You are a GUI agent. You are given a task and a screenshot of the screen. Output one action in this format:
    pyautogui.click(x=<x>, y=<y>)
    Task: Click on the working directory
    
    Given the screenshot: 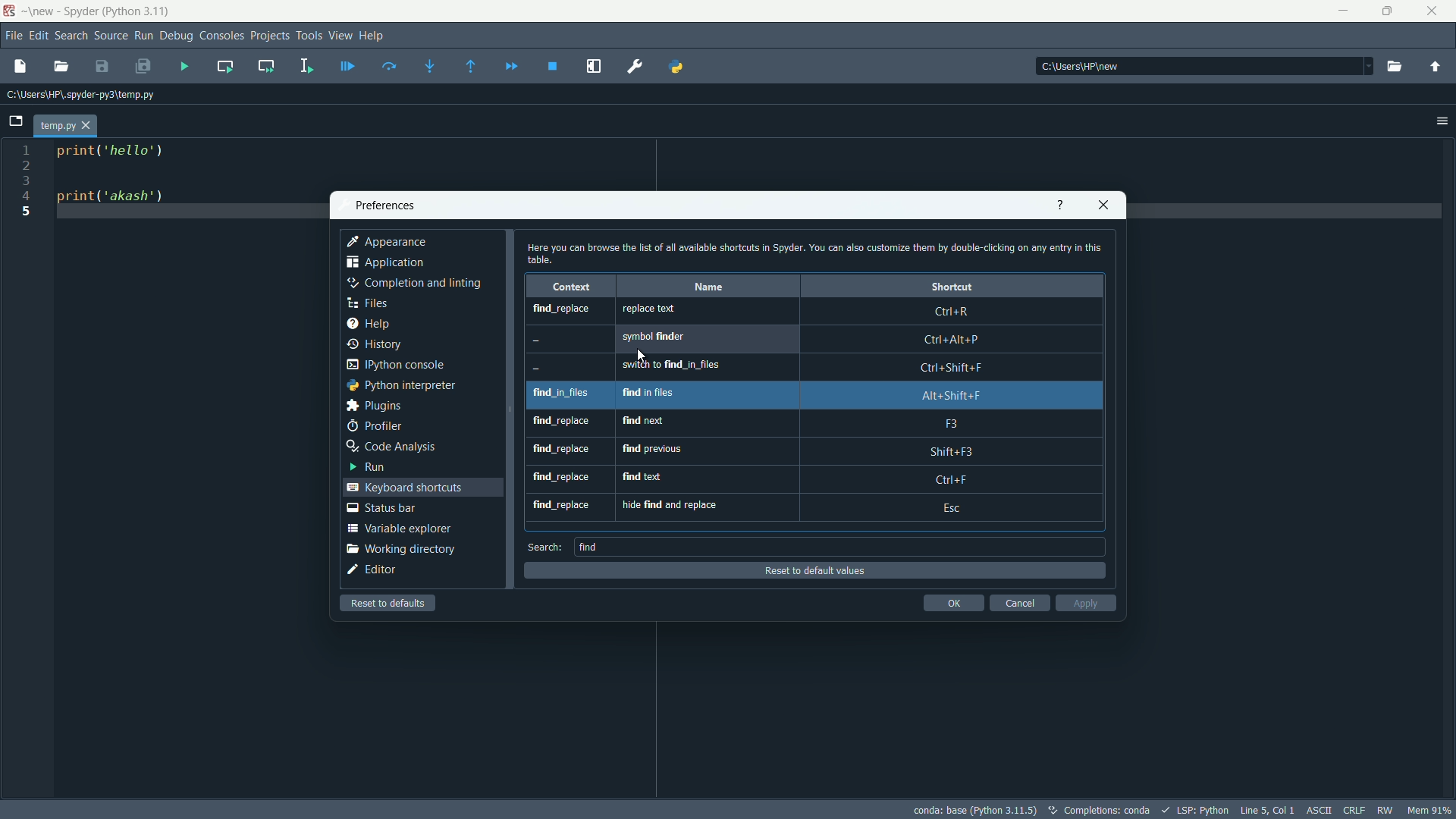 What is the action you would take?
    pyautogui.click(x=400, y=548)
    